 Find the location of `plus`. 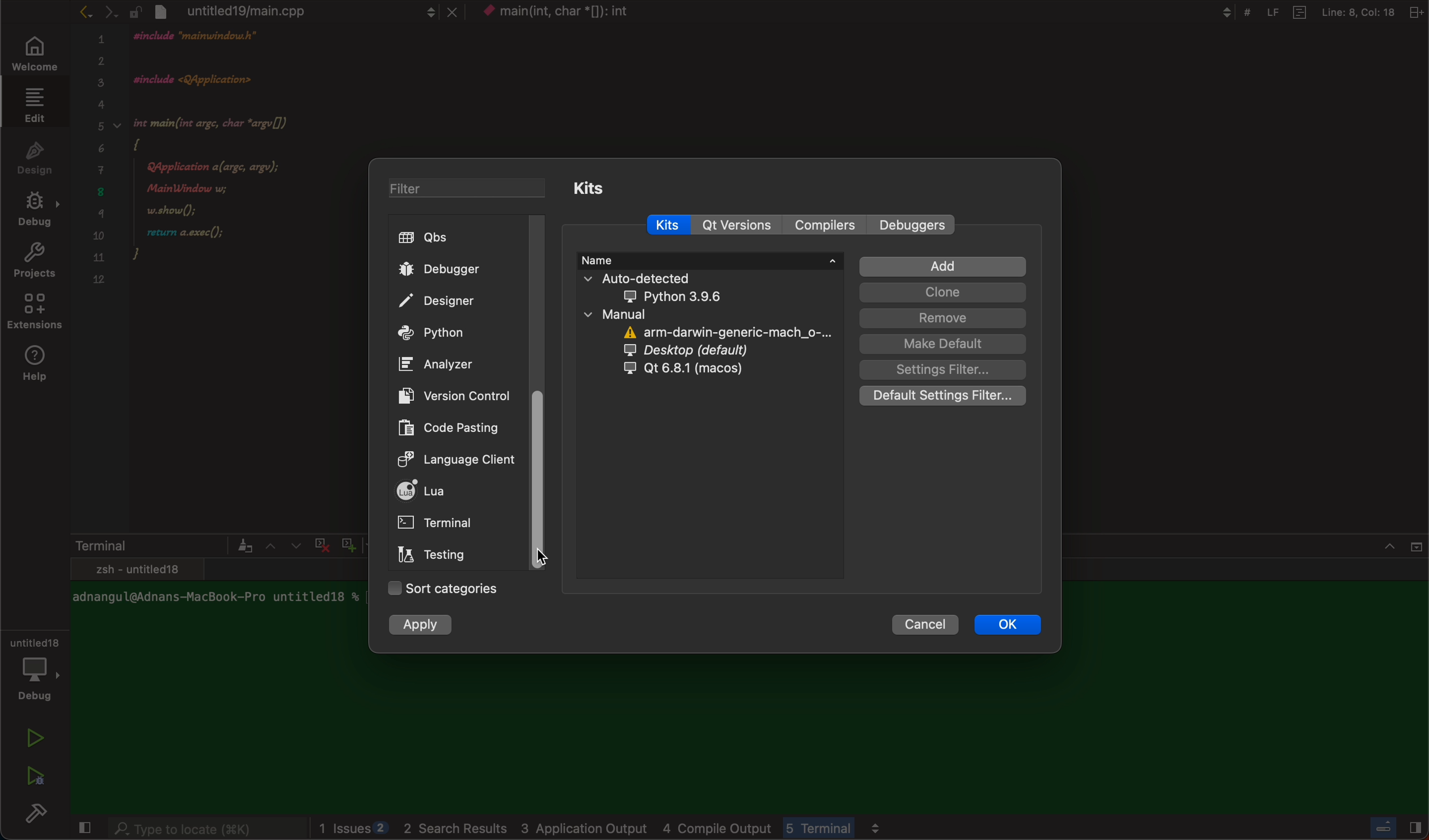

plus is located at coordinates (346, 543).